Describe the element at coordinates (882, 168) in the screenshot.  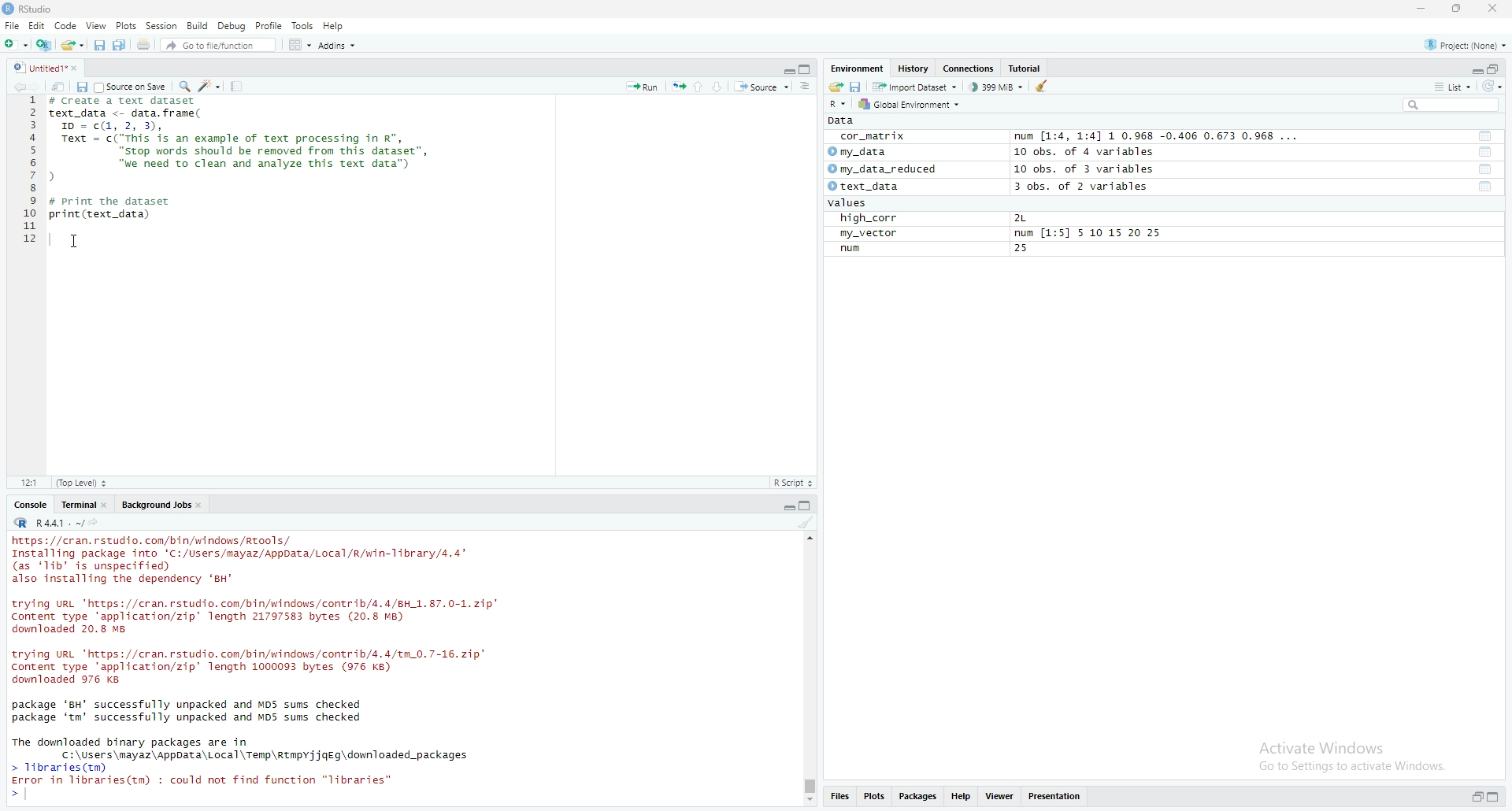
I see `my_data_reduced` at that location.